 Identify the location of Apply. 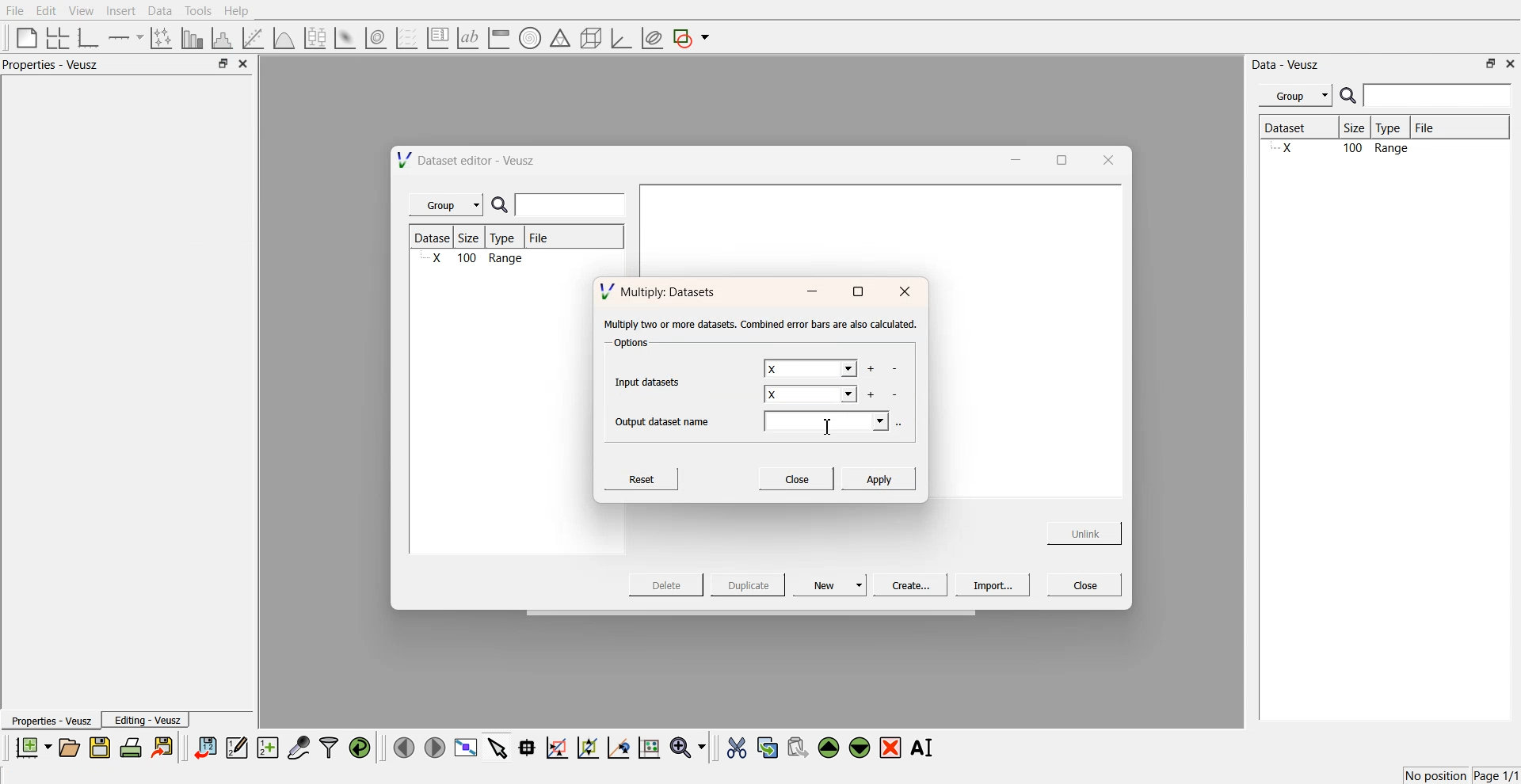
(879, 478).